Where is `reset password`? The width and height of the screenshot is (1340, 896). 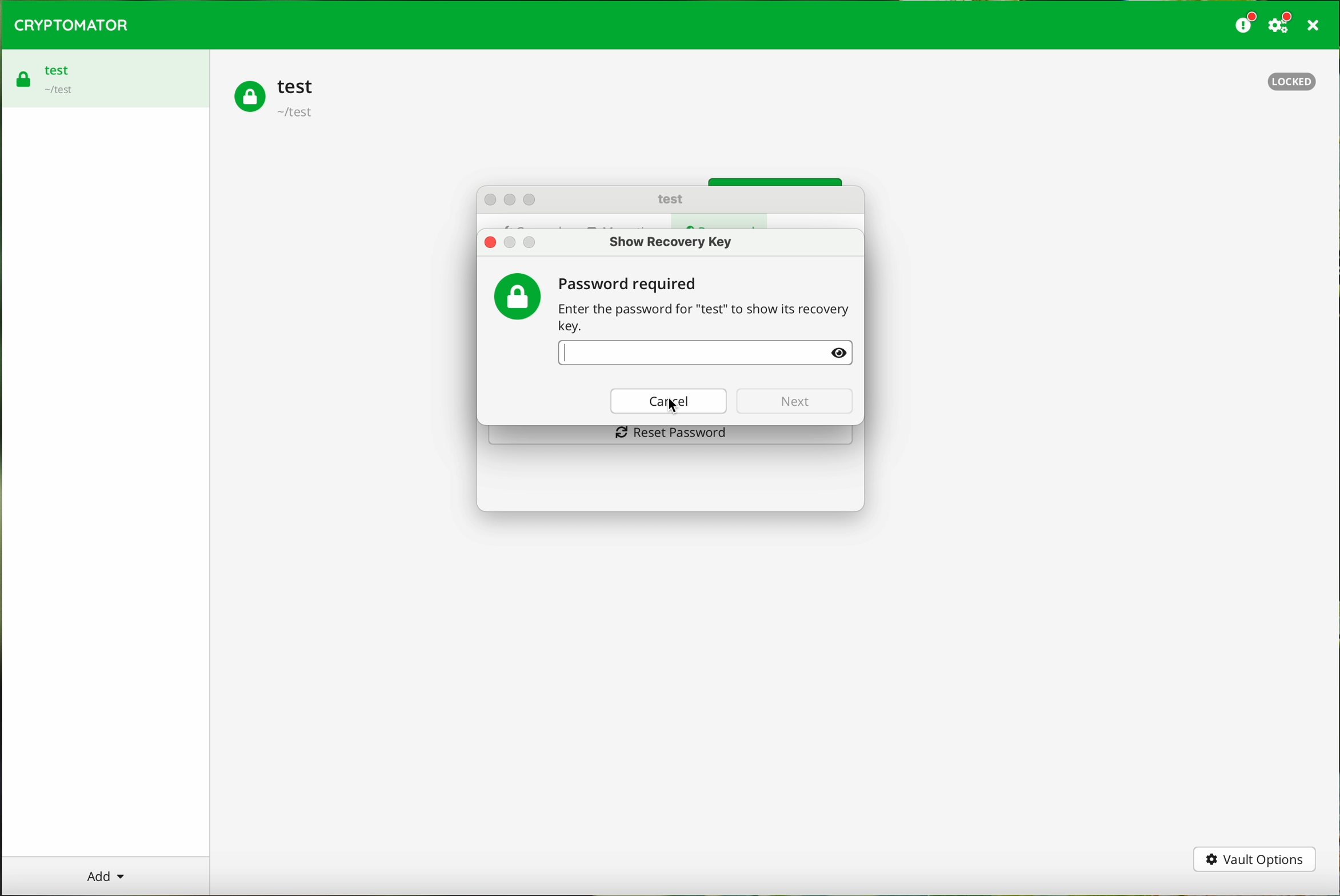
reset password is located at coordinates (669, 437).